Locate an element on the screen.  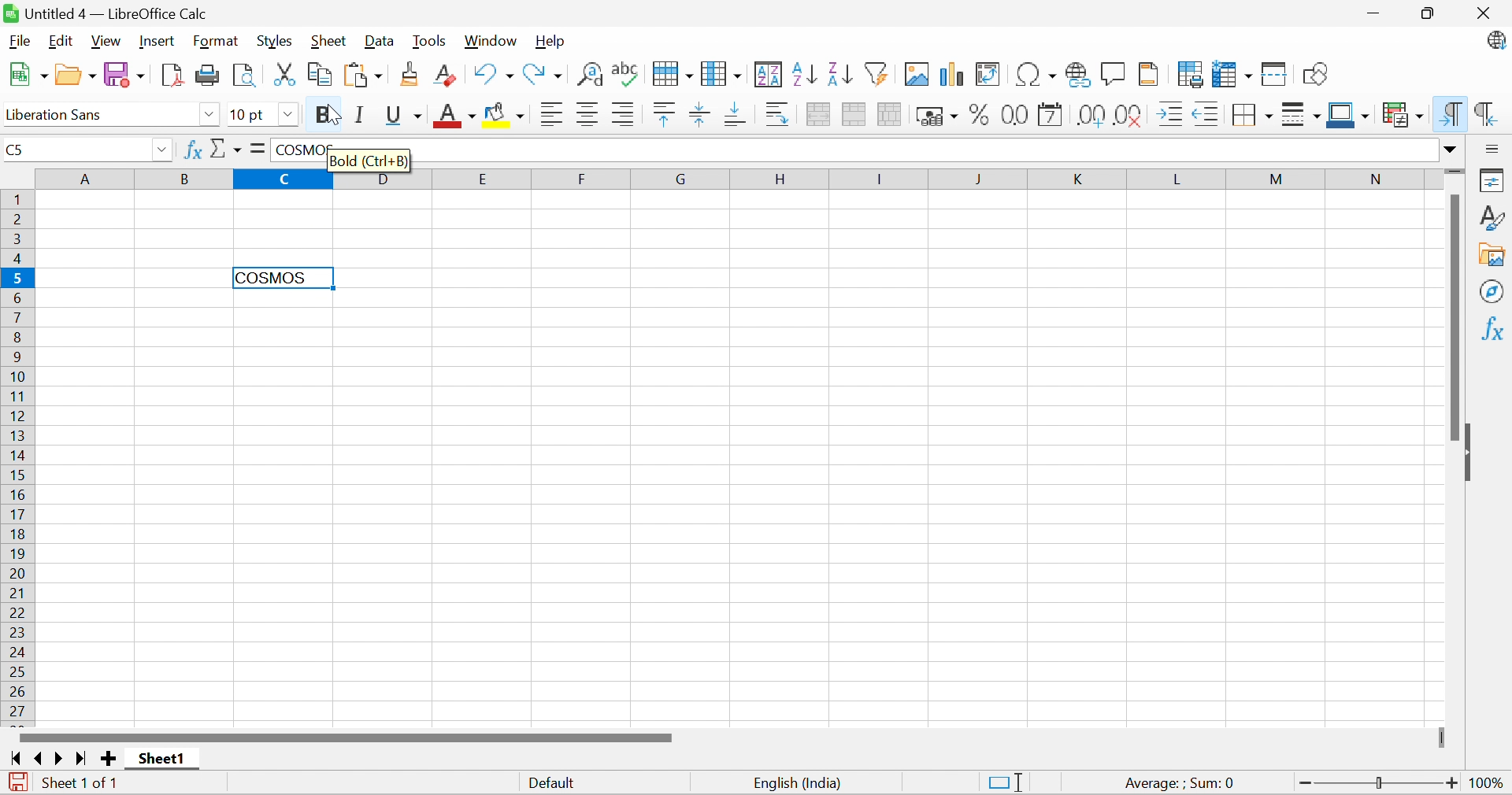
COSMOS is located at coordinates (302, 150).